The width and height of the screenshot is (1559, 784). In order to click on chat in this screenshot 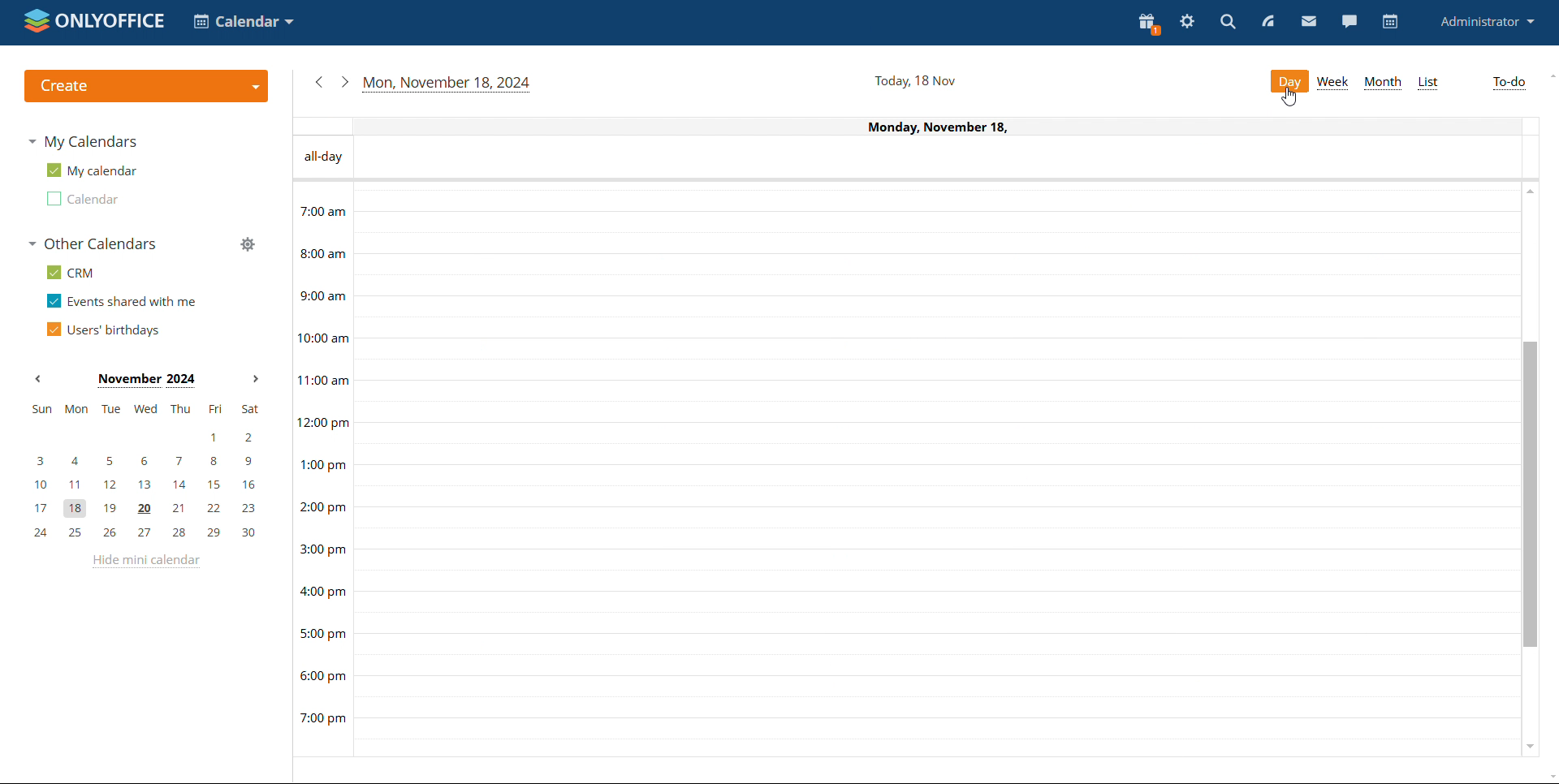, I will do `click(1350, 21)`.